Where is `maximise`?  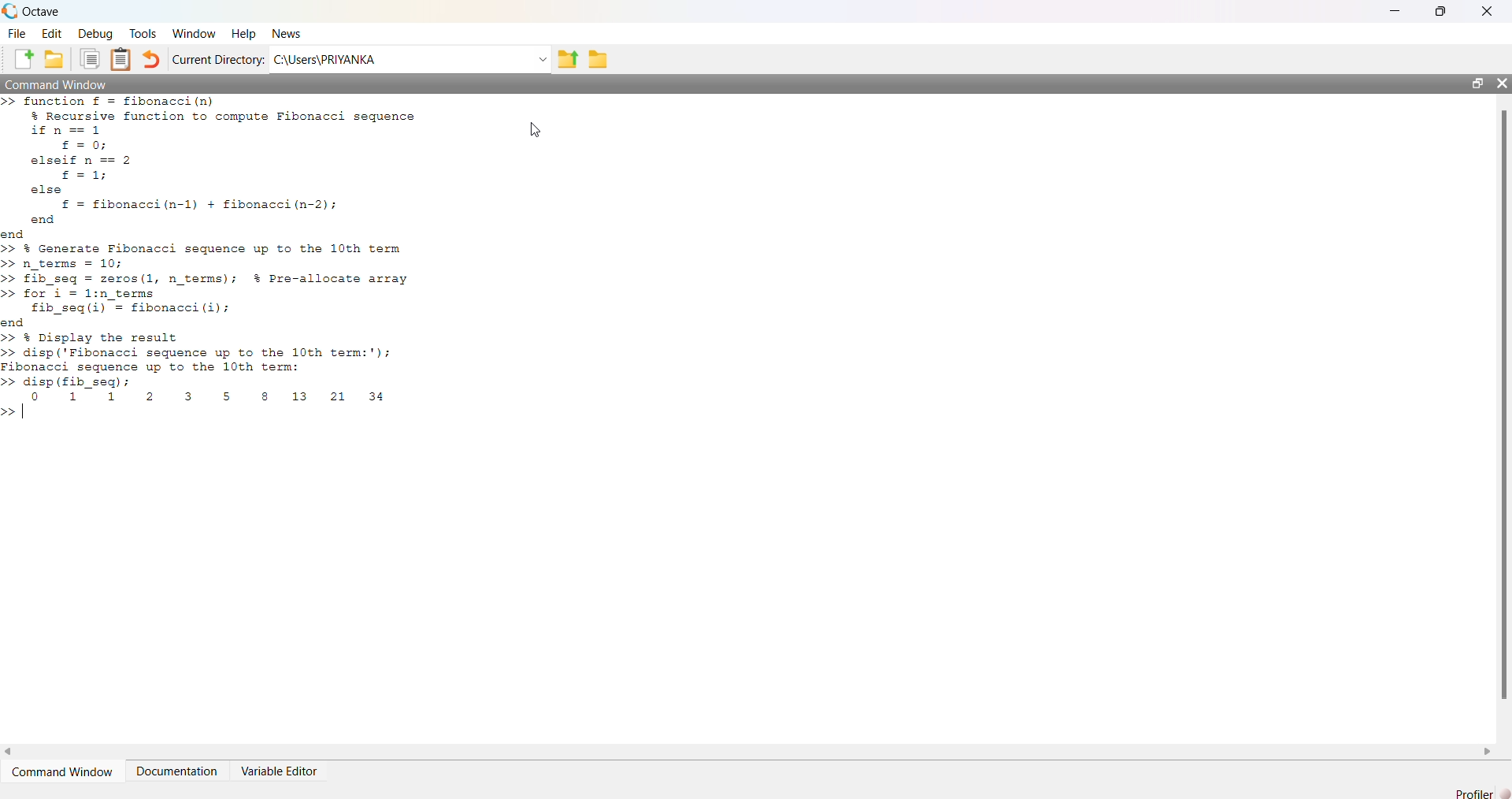 maximise is located at coordinates (1443, 13).